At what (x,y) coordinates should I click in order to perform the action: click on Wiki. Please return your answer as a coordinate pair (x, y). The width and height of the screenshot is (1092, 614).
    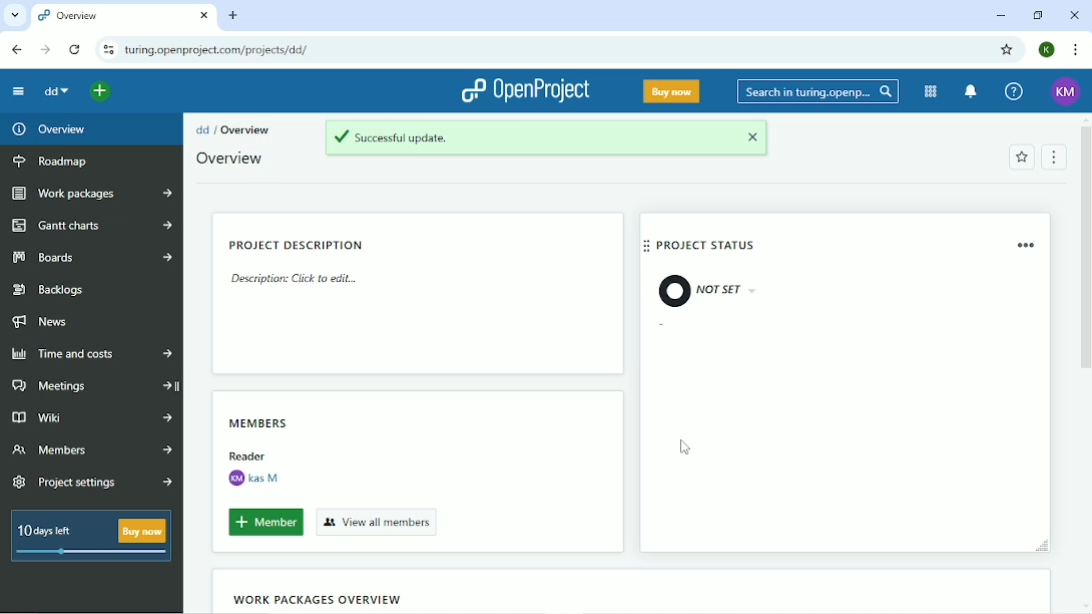
    Looking at the image, I should click on (92, 416).